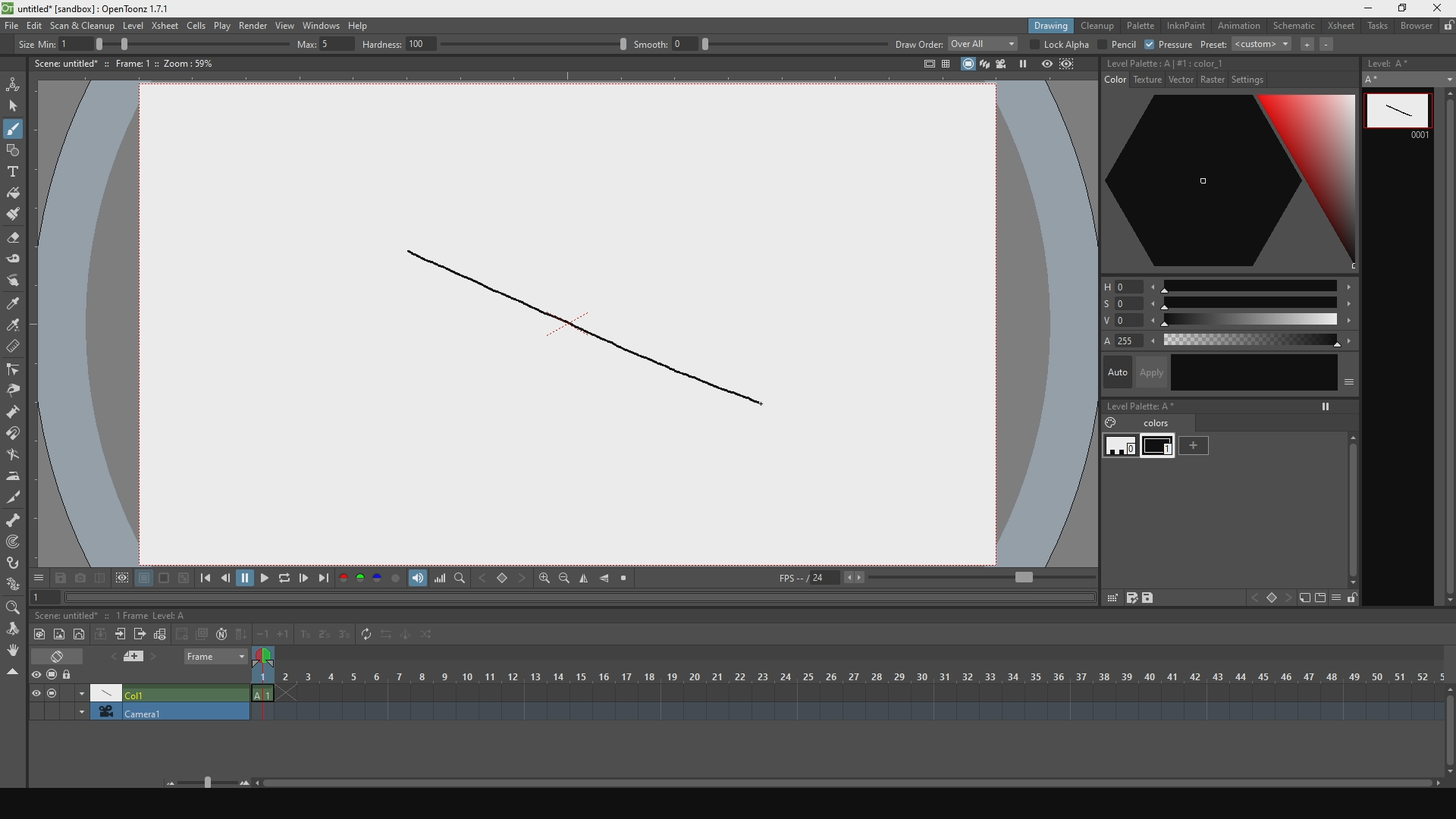 This screenshot has width=1456, height=819. I want to click on stop, so click(965, 67).